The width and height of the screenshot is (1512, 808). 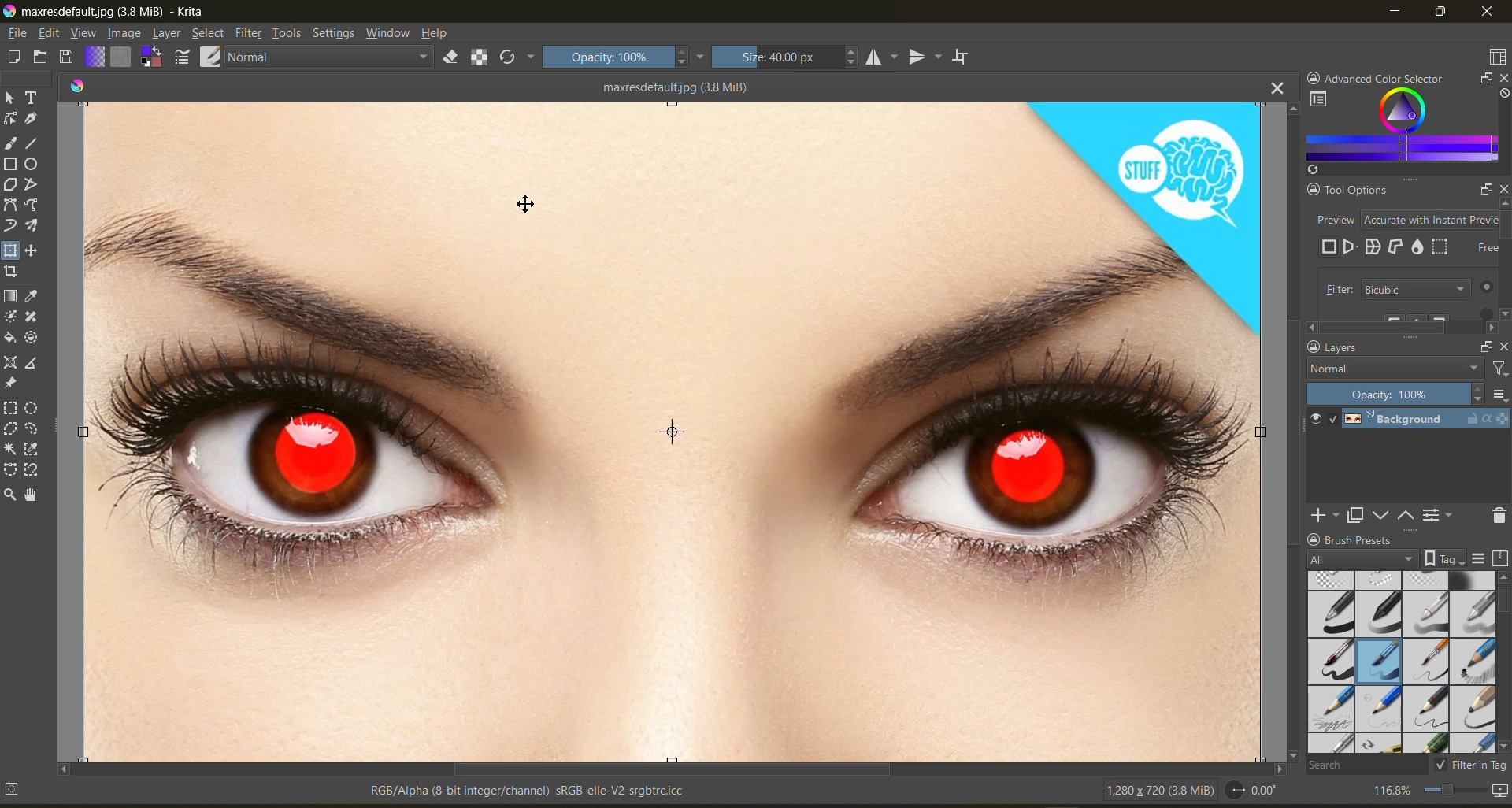 I want to click on Layers, so click(x=1372, y=348).